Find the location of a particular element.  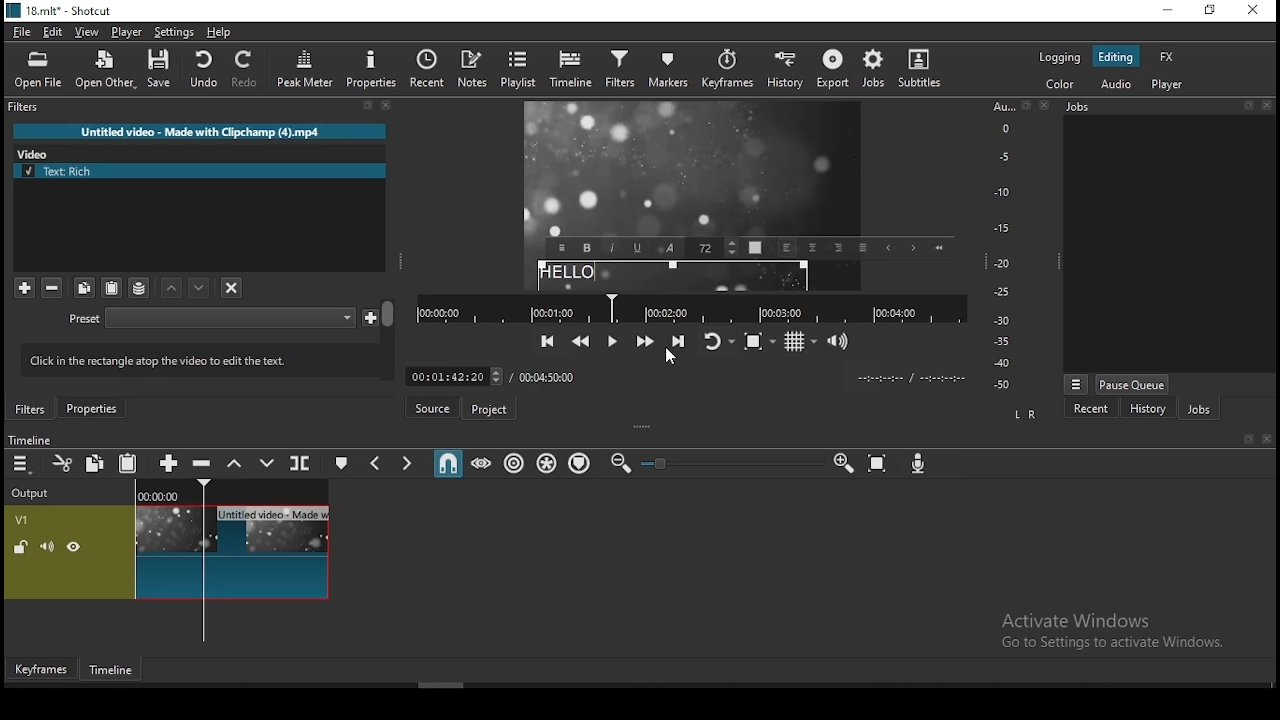

Preset is located at coordinates (85, 320).